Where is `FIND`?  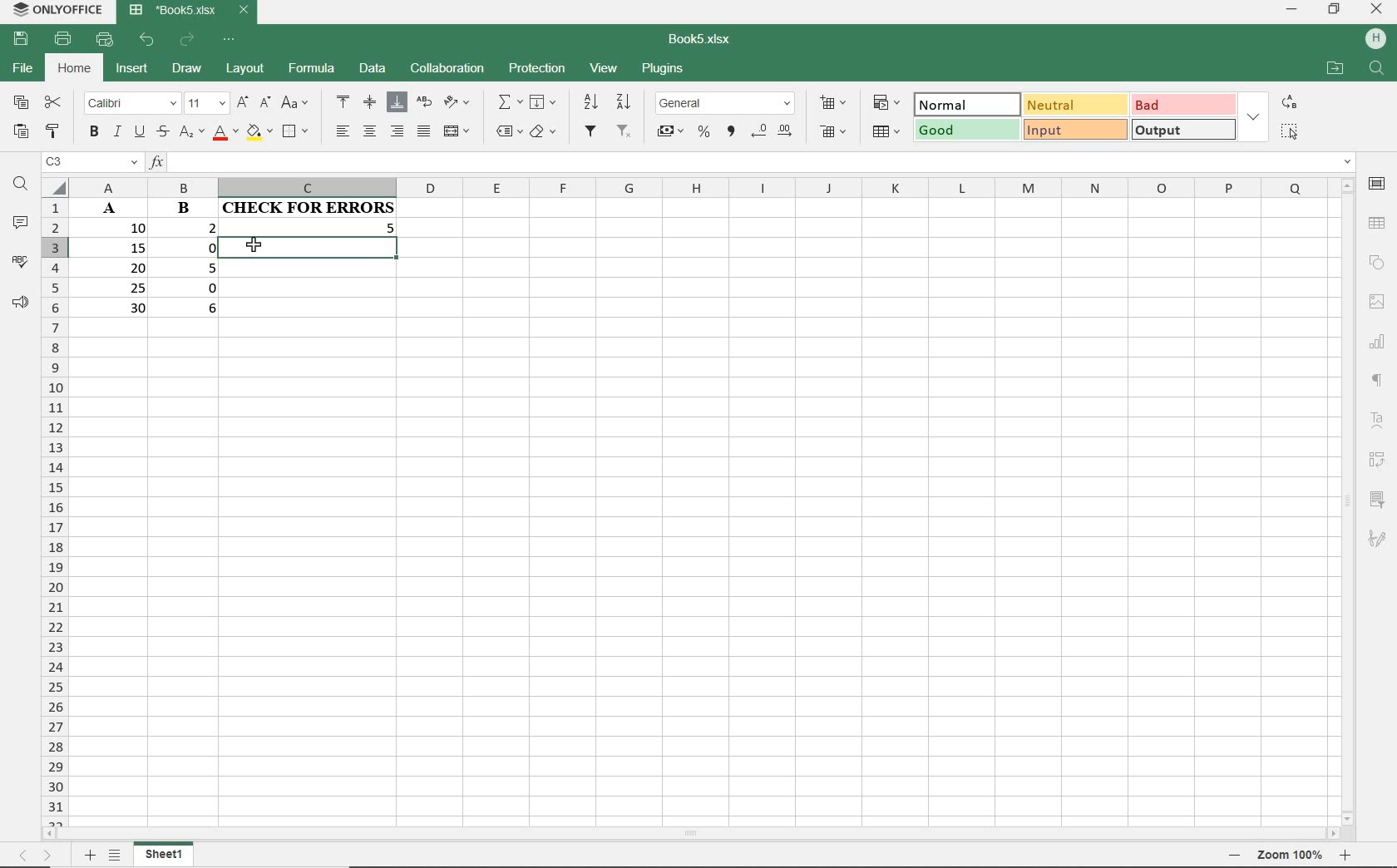
FIND is located at coordinates (1377, 70).